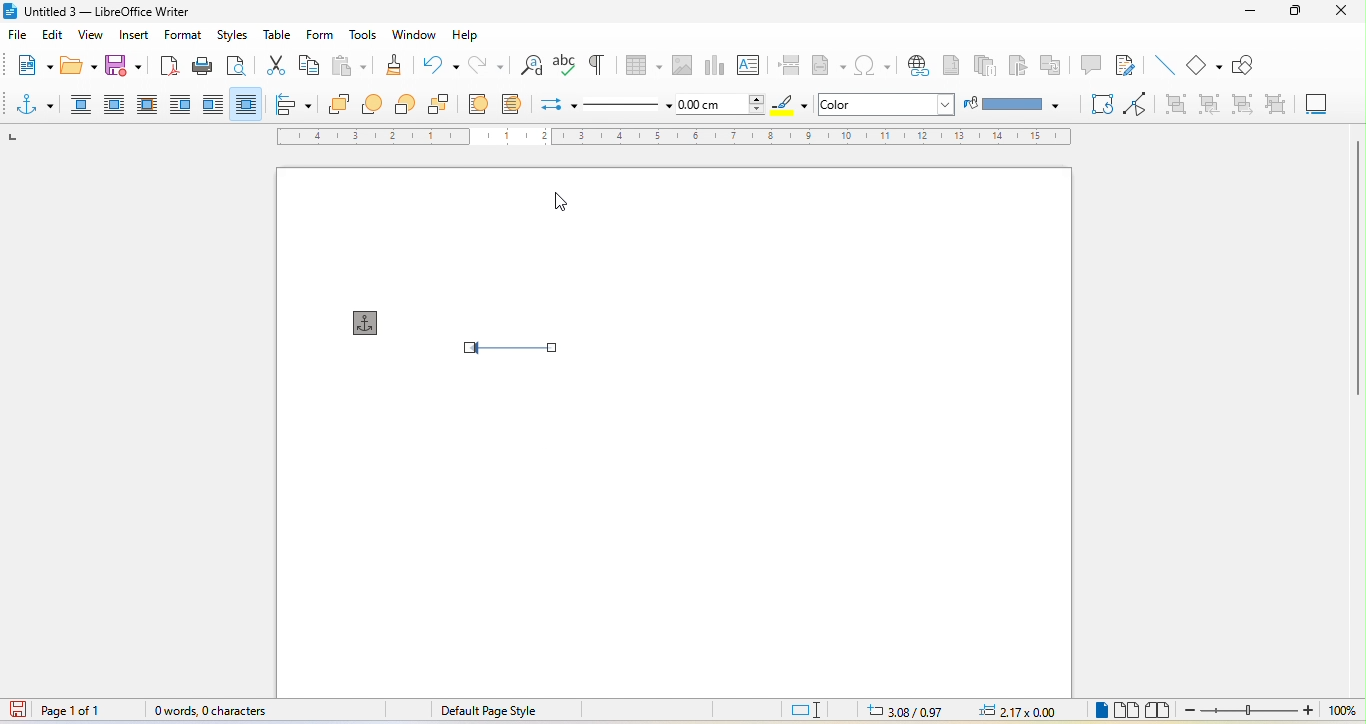 This screenshot has width=1366, height=724. Describe the element at coordinates (279, 32) in the screenshot. I see `table` at that location.